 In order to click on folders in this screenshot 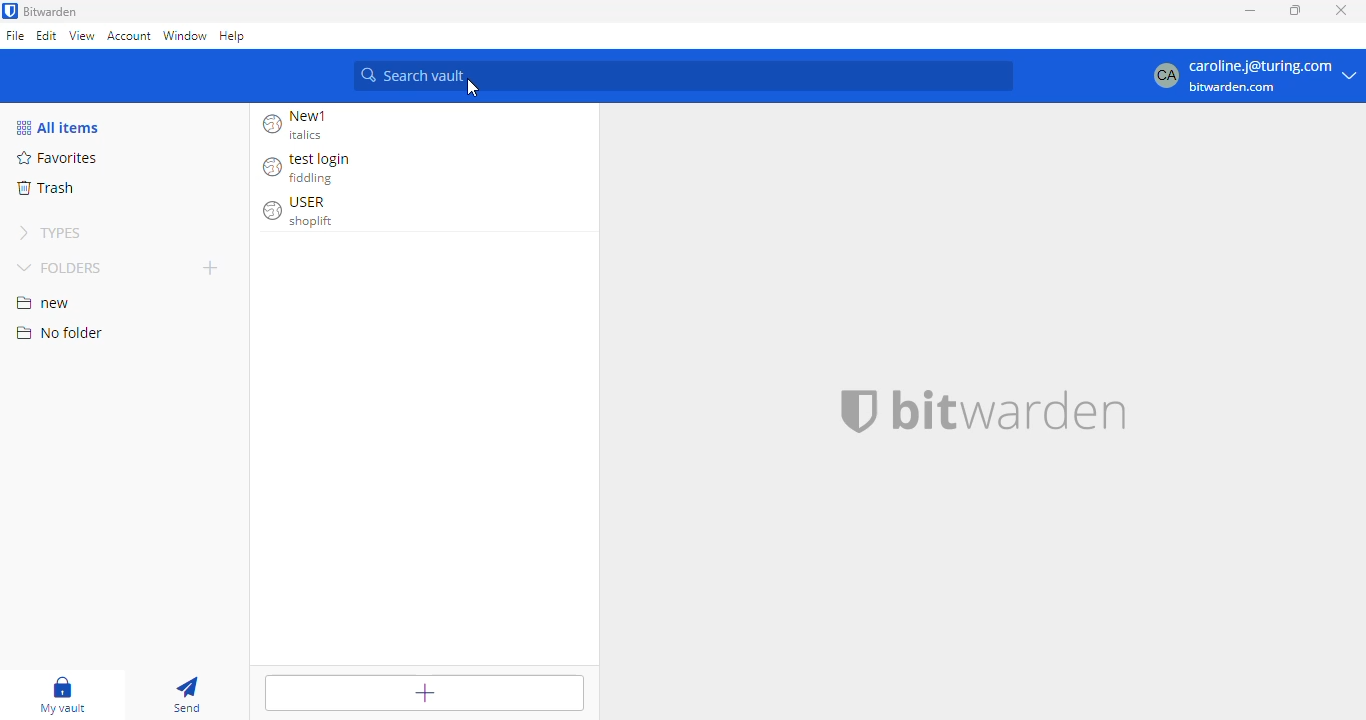, I will do `click(59, 267)`.